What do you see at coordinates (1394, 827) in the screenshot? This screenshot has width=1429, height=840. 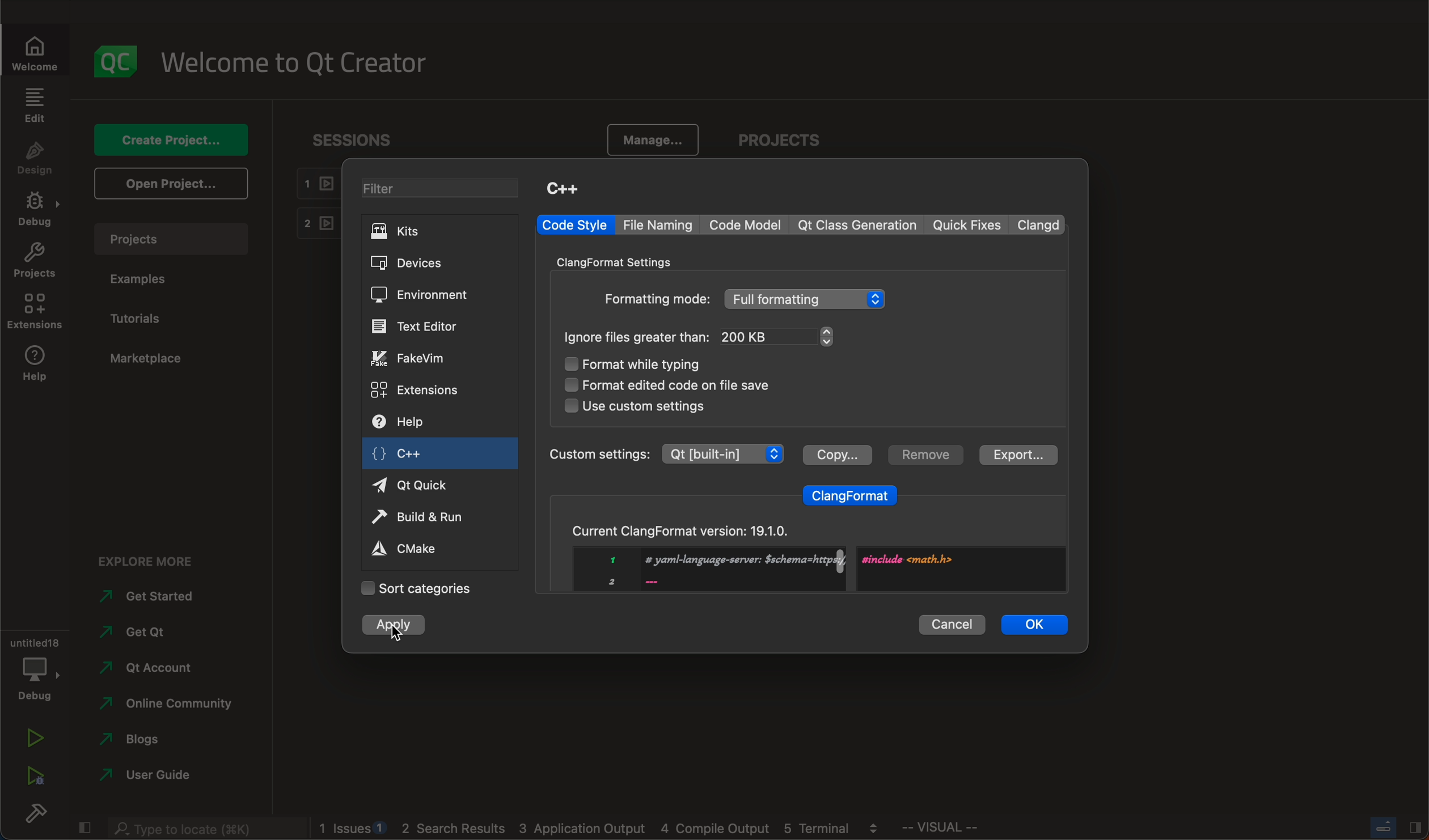 I see `close slide bar` at bounding box center [1394, 827].